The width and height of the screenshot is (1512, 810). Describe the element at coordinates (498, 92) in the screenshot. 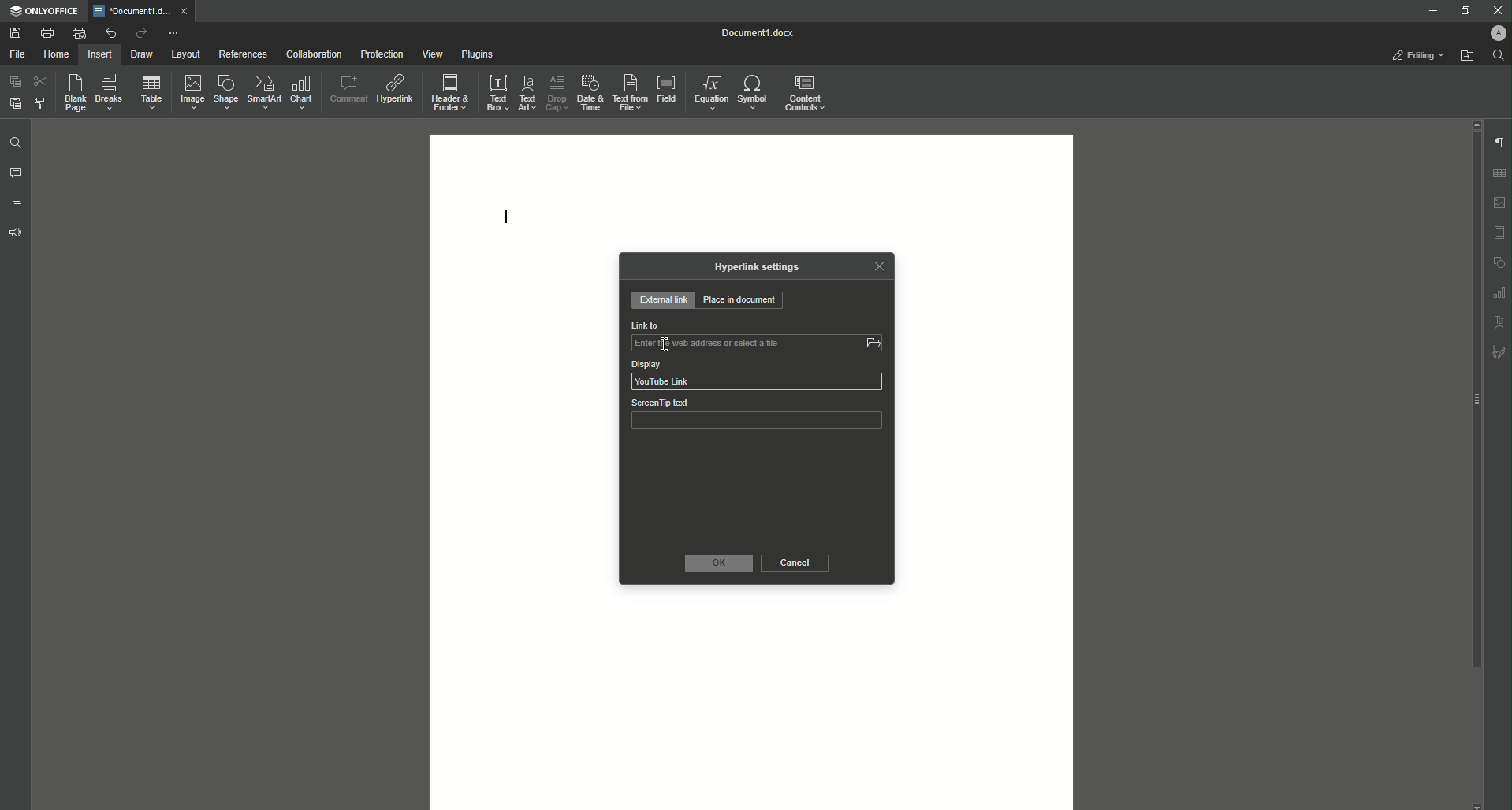

I see `Text Box` at that location.